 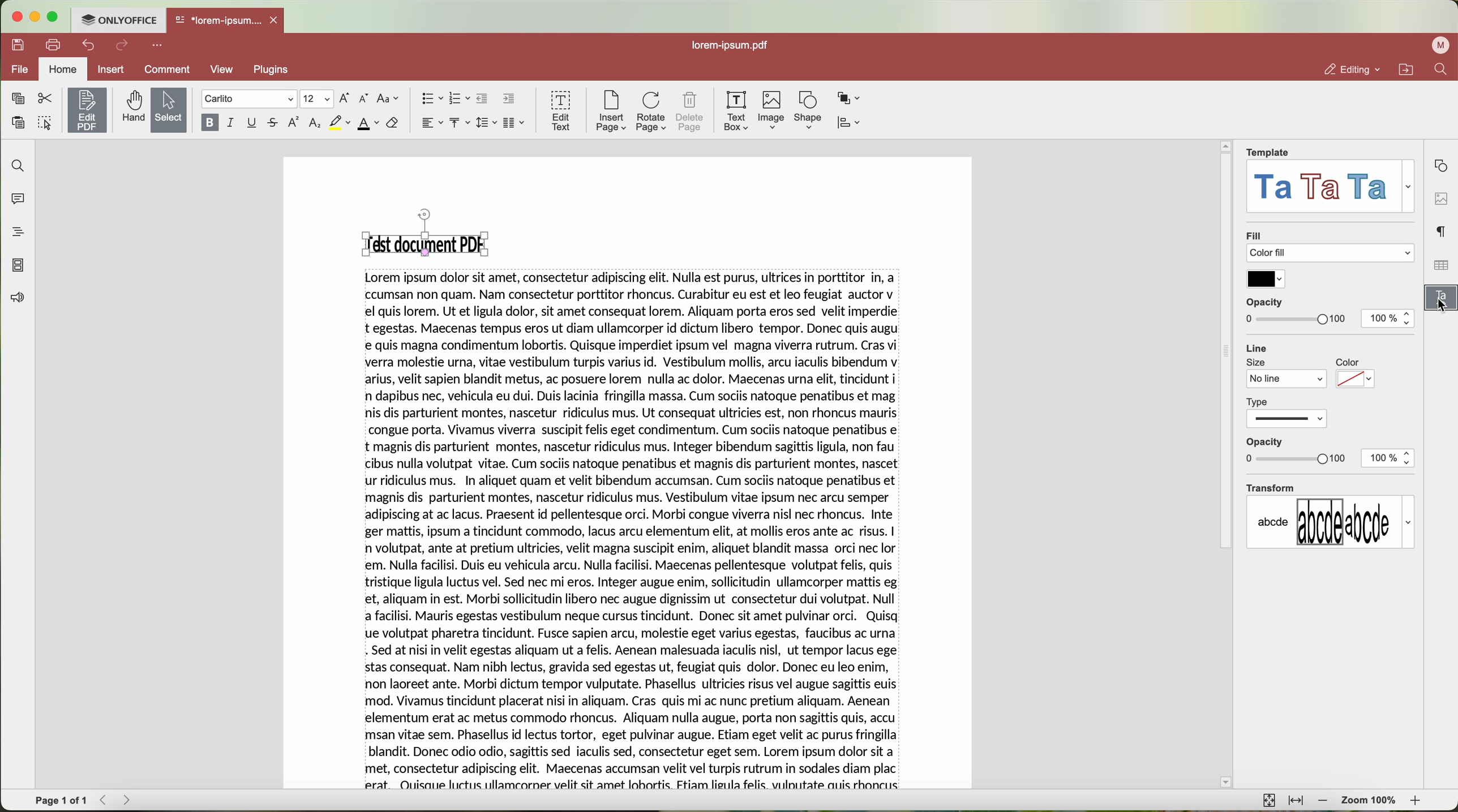 I want to click on select all, so click(x=45, y=122).